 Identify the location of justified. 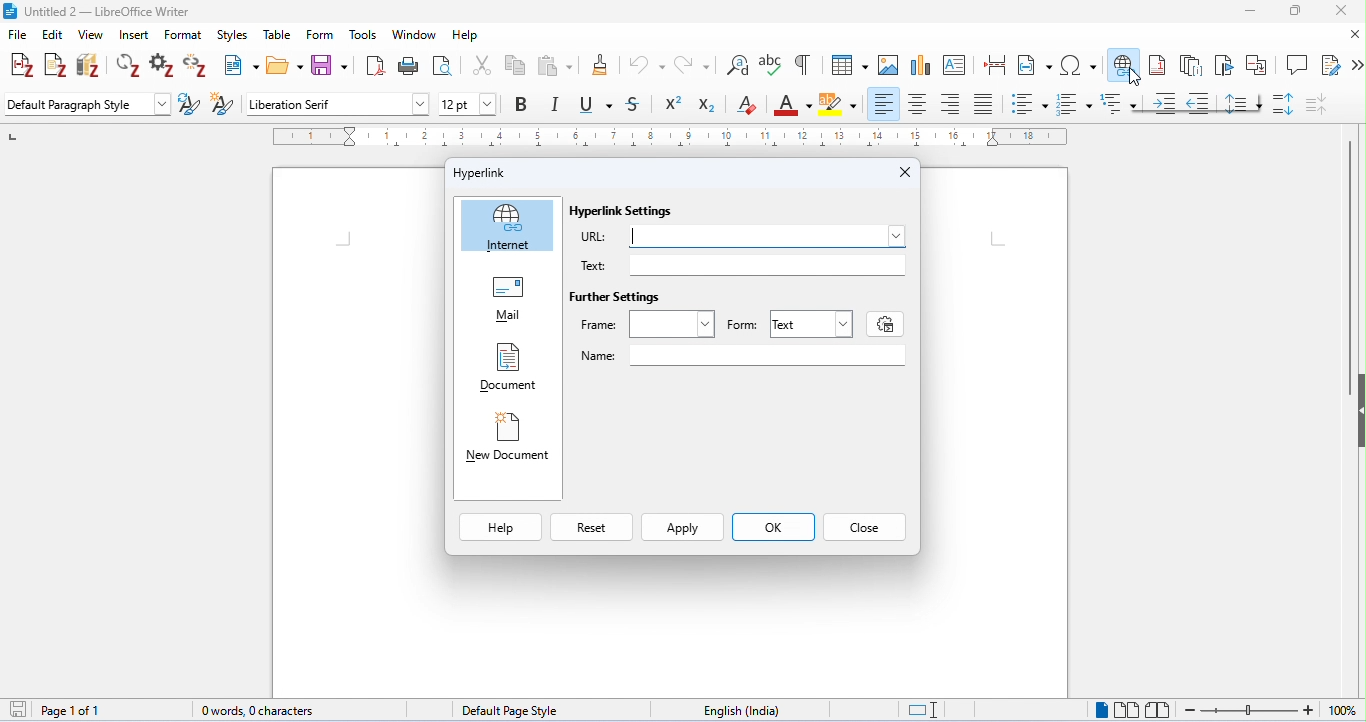
(987, 104).